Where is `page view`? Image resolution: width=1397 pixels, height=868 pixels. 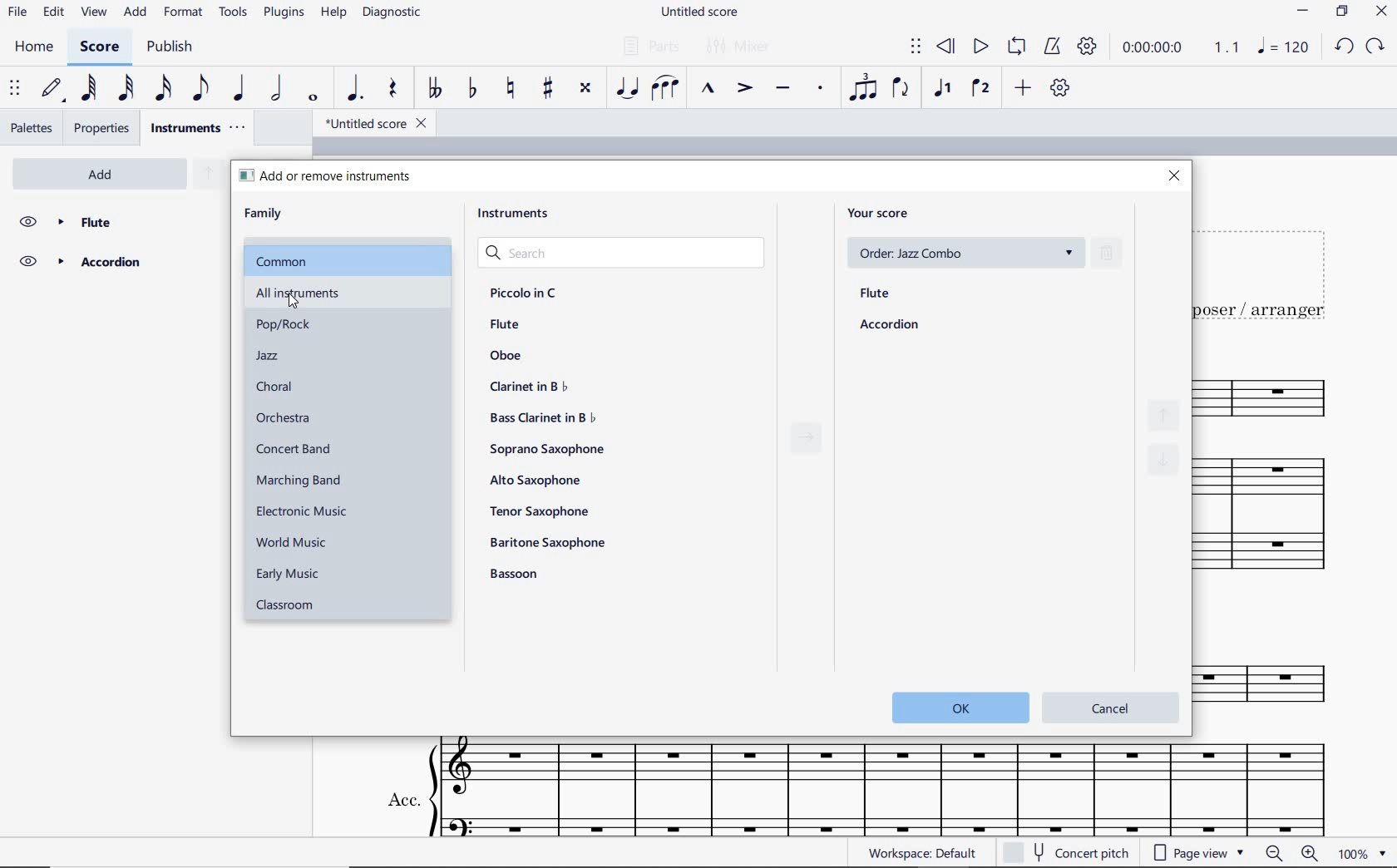
page view is located at coordinates (1199, 854).